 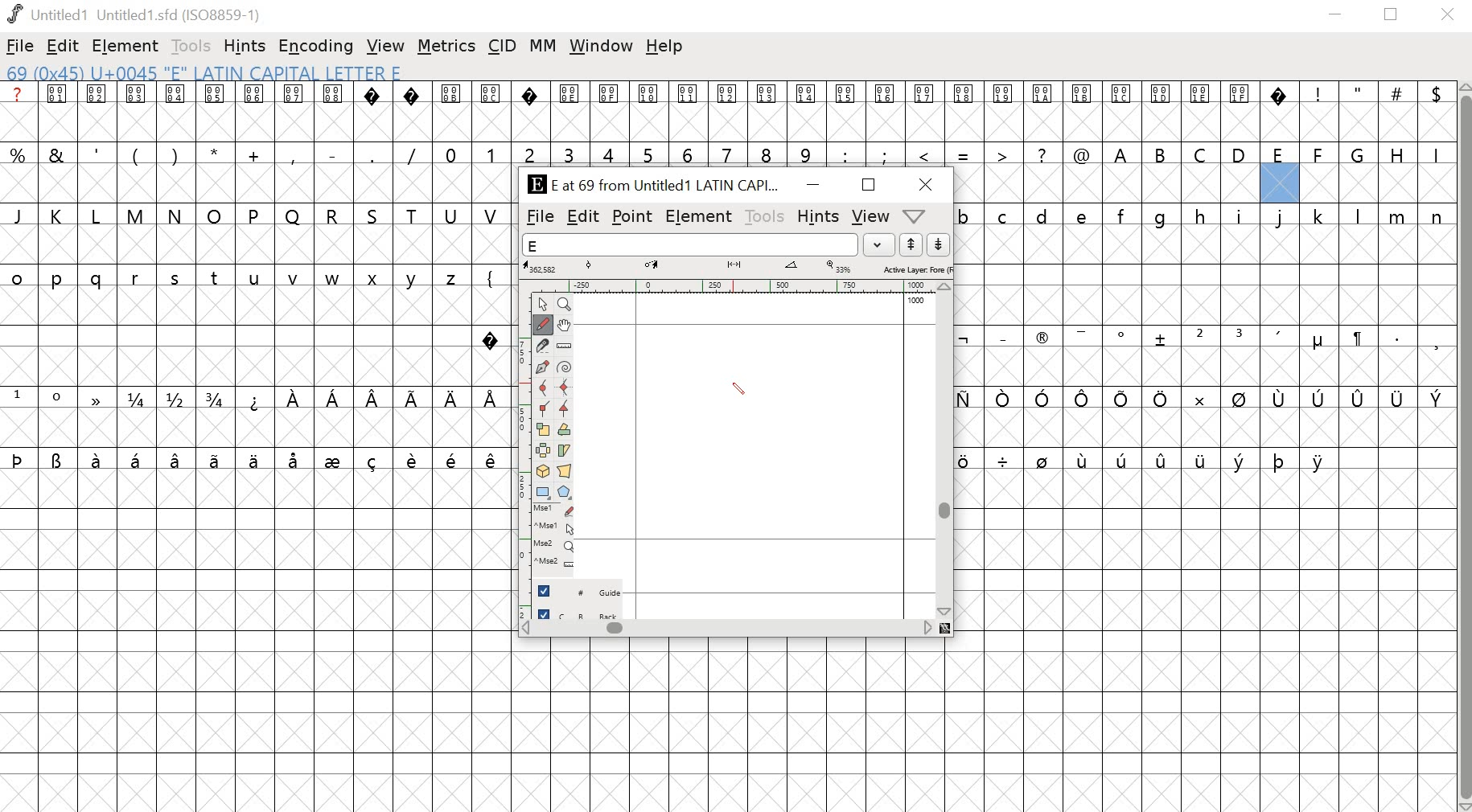 I want to click on Freehand, so click(x=545, y=326).